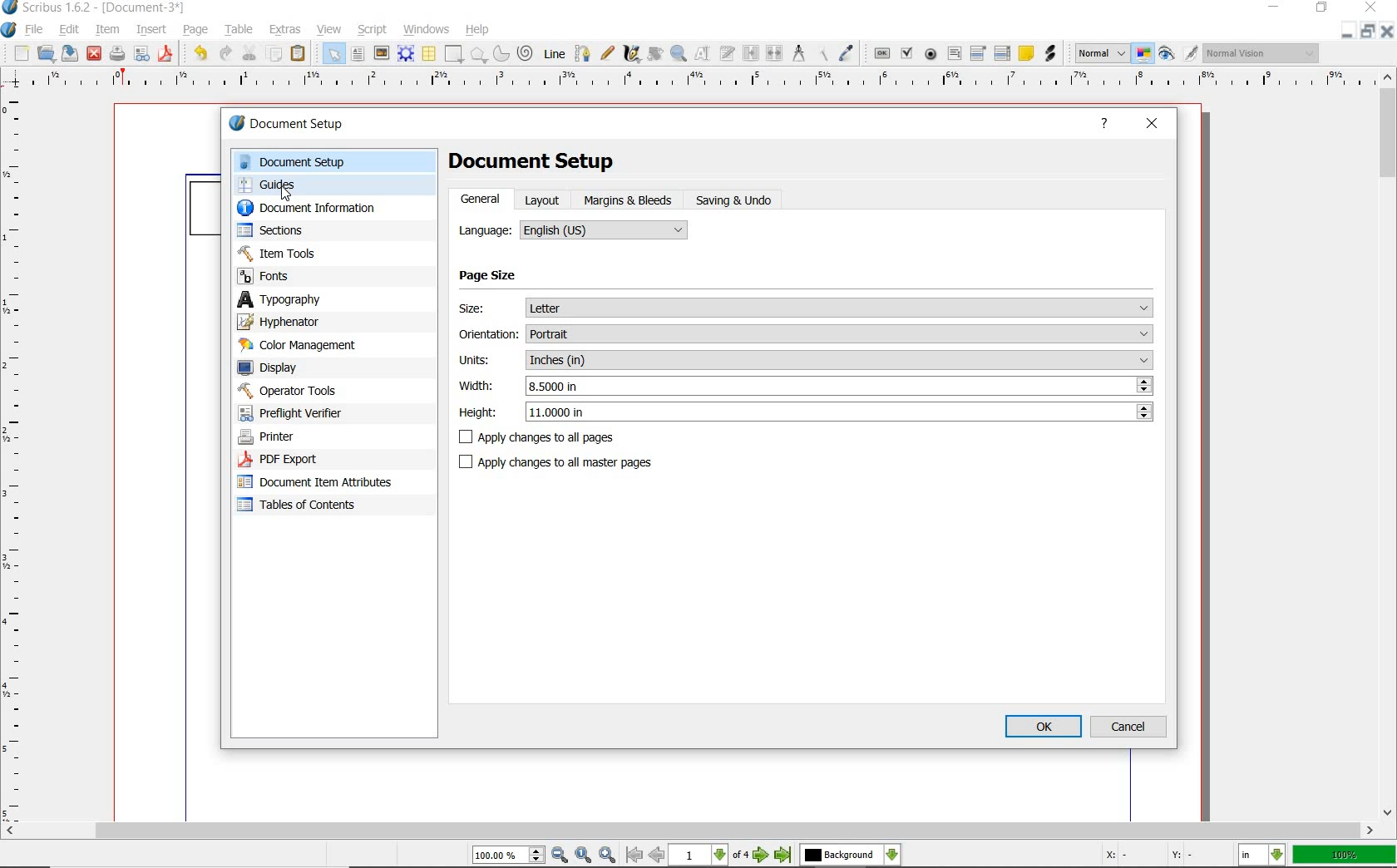  What do you see at coordinates (726, 52) in the screenshot?
I see `edit text with story editor` at bounding box center [726, 52].